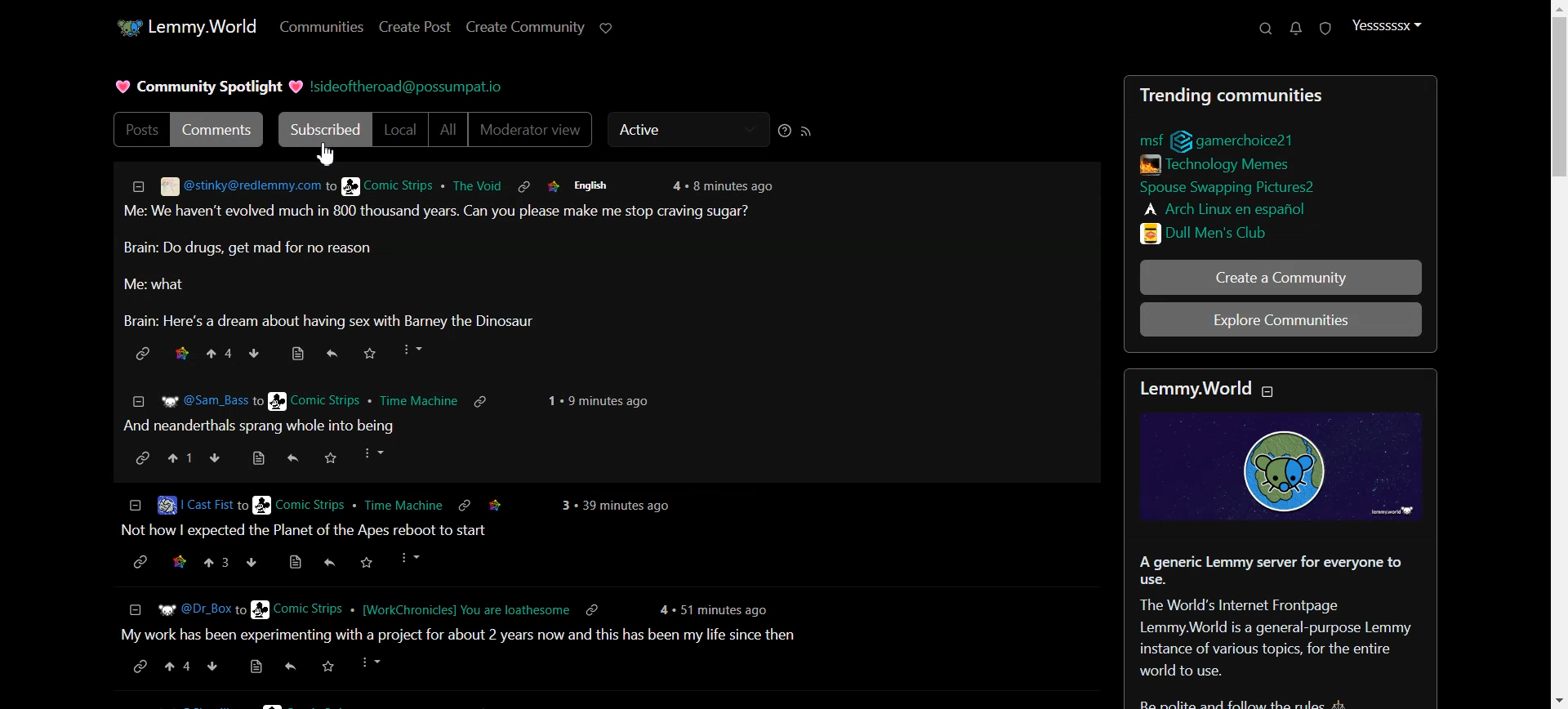 This screenshot has width=1568, height=709. What do you see at coordinates (408, 609) in the screenshot?
I see `name` at bounding box center [408, 609].